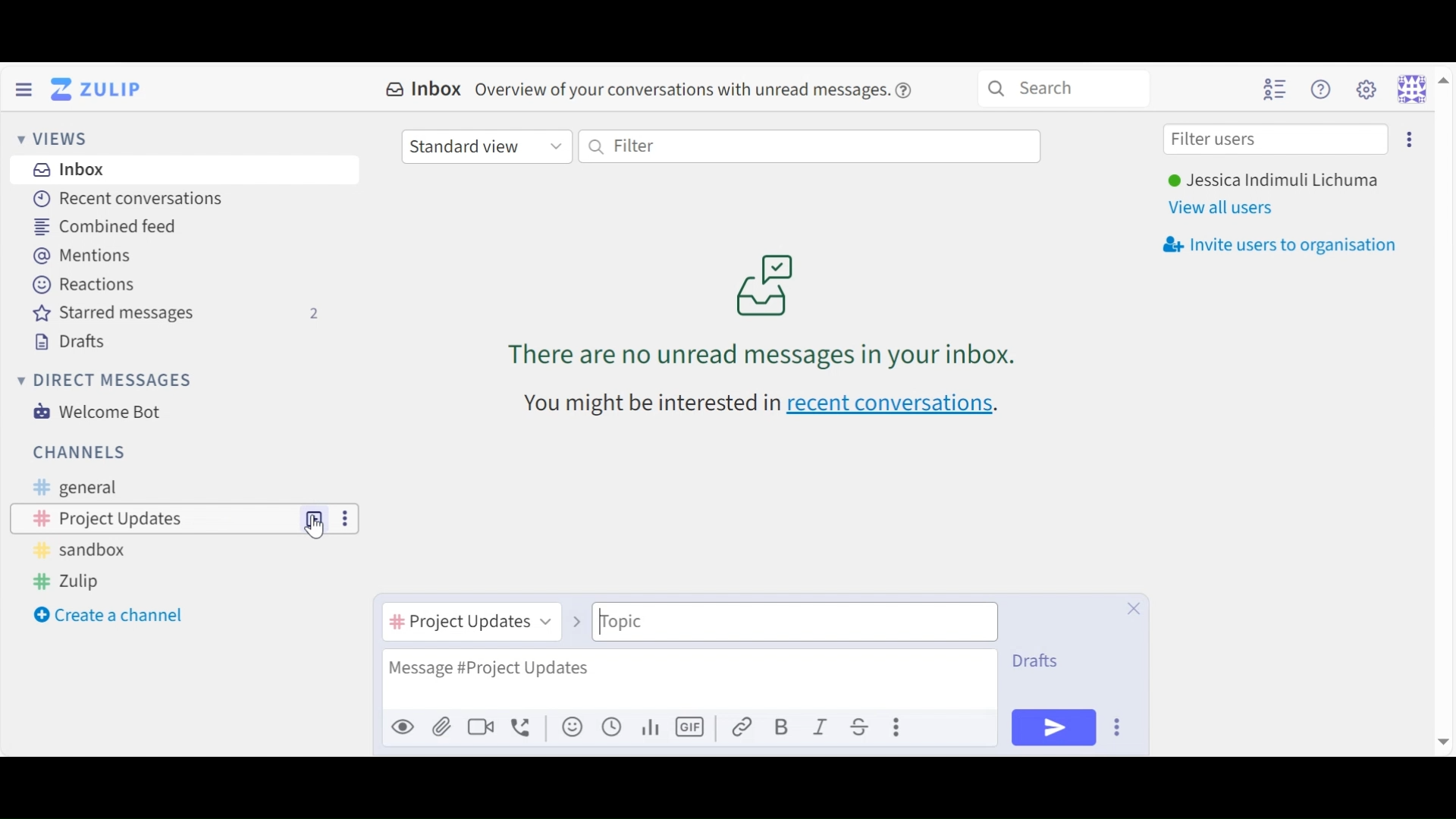 The height and width of the screenshot is (819, 1456). What do you see at coordinates (72, 488) in the screenshot?
I see `General Channel` at bounding box center [72, 488].